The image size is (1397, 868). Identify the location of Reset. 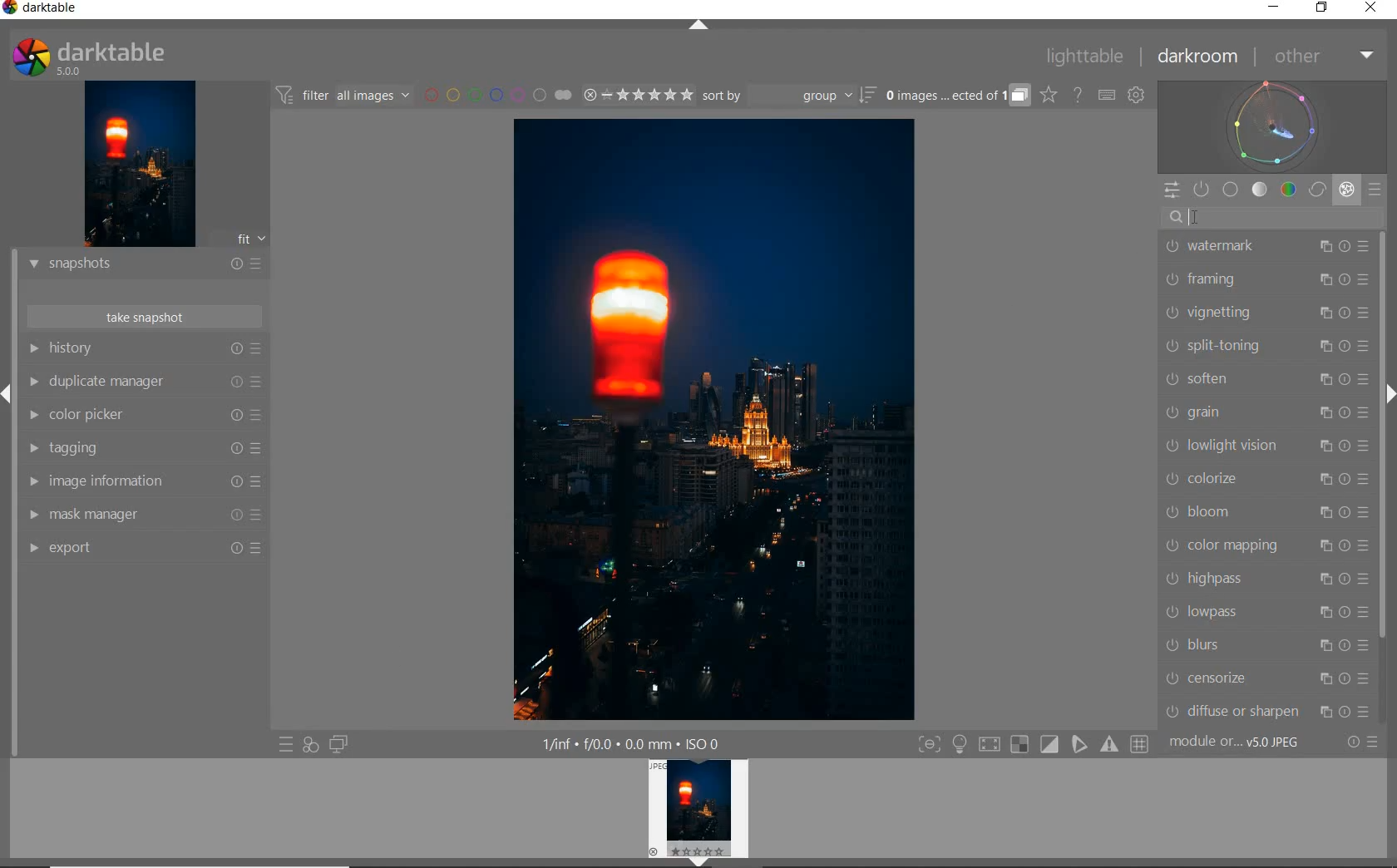
(230, 383).